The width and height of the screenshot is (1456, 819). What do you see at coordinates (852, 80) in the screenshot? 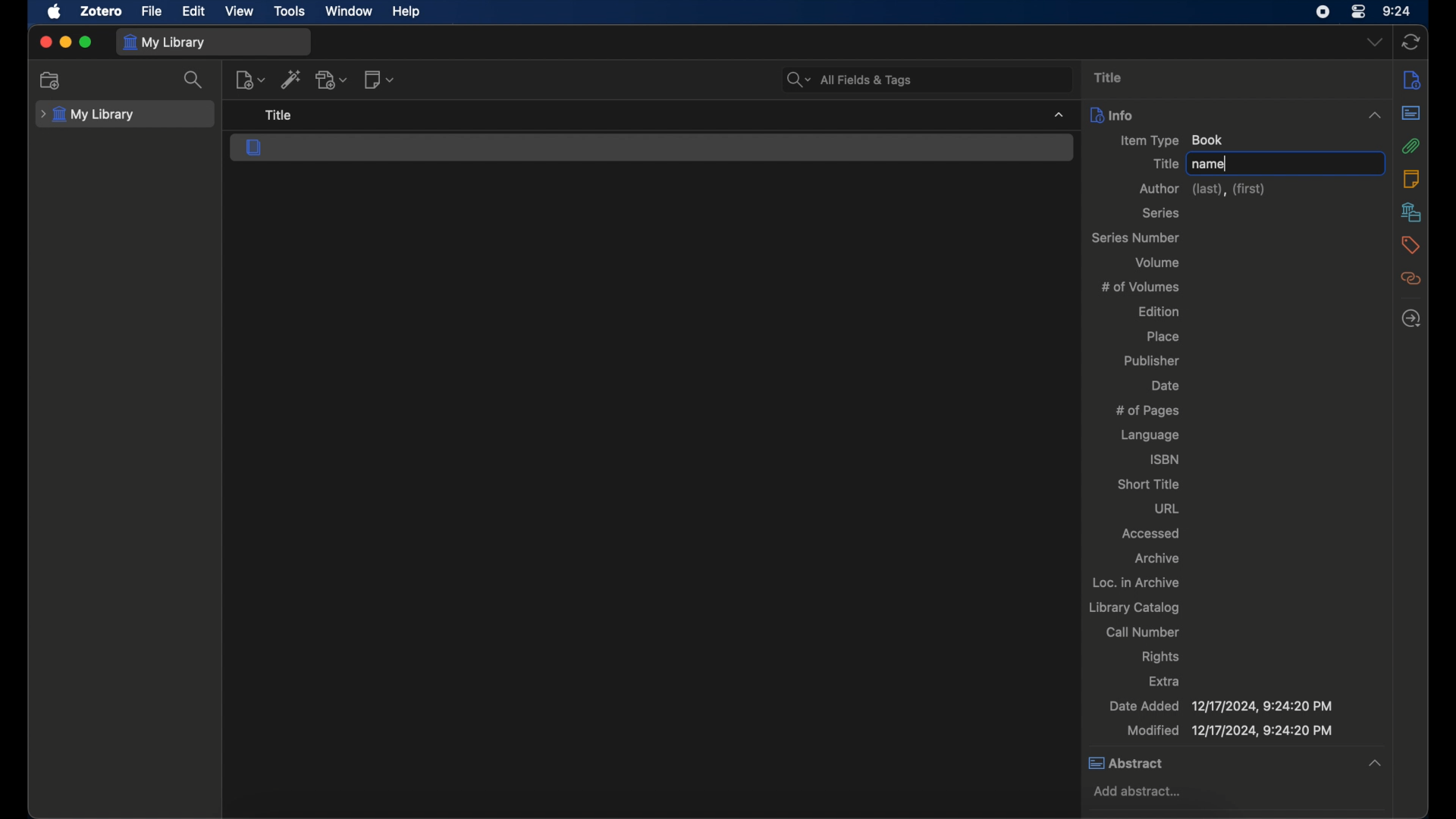
I see `search` at bounding box center [852, 80].